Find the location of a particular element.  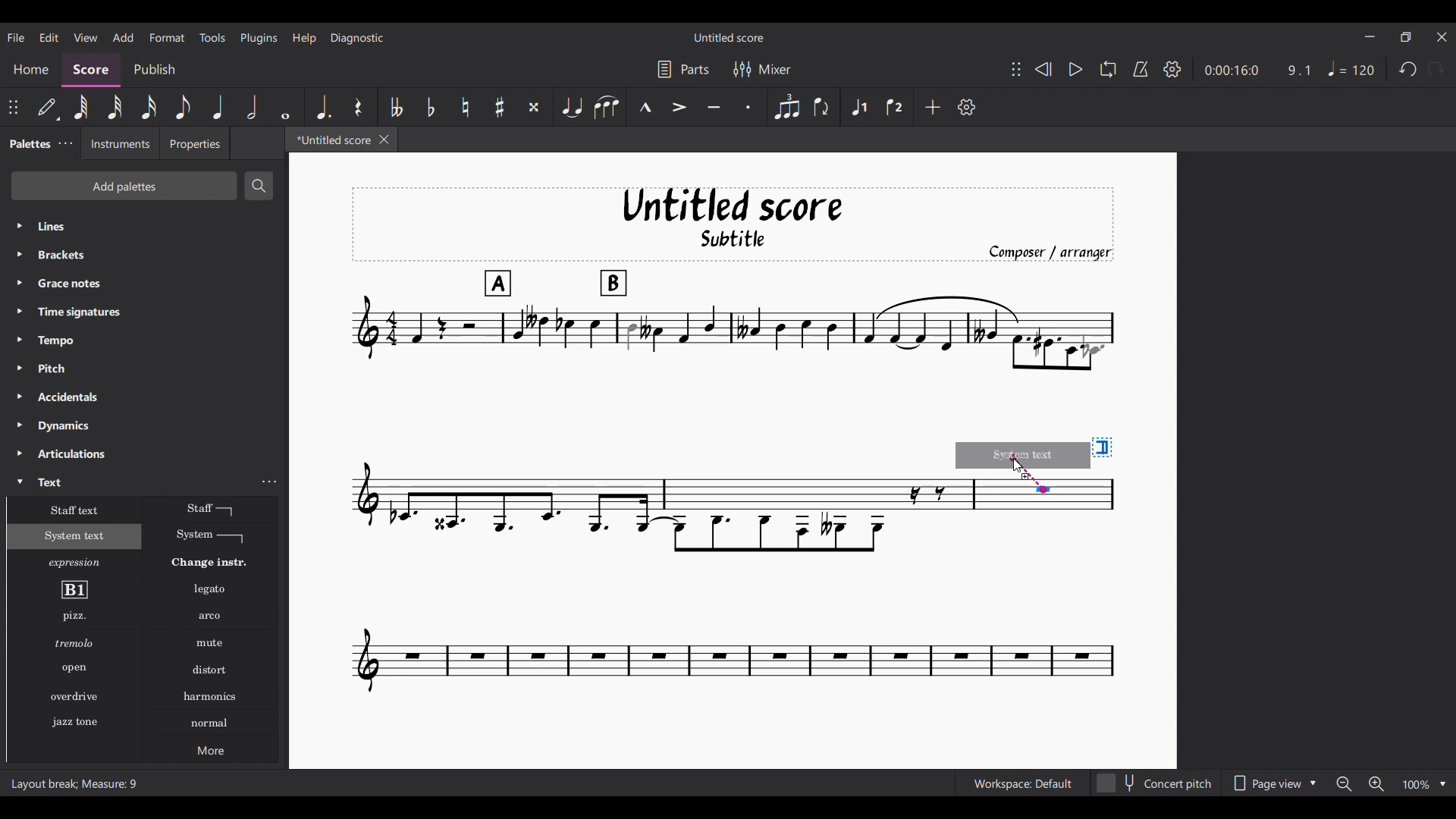

Layout break; Measure: 9 is located at coordinates (79, 783).